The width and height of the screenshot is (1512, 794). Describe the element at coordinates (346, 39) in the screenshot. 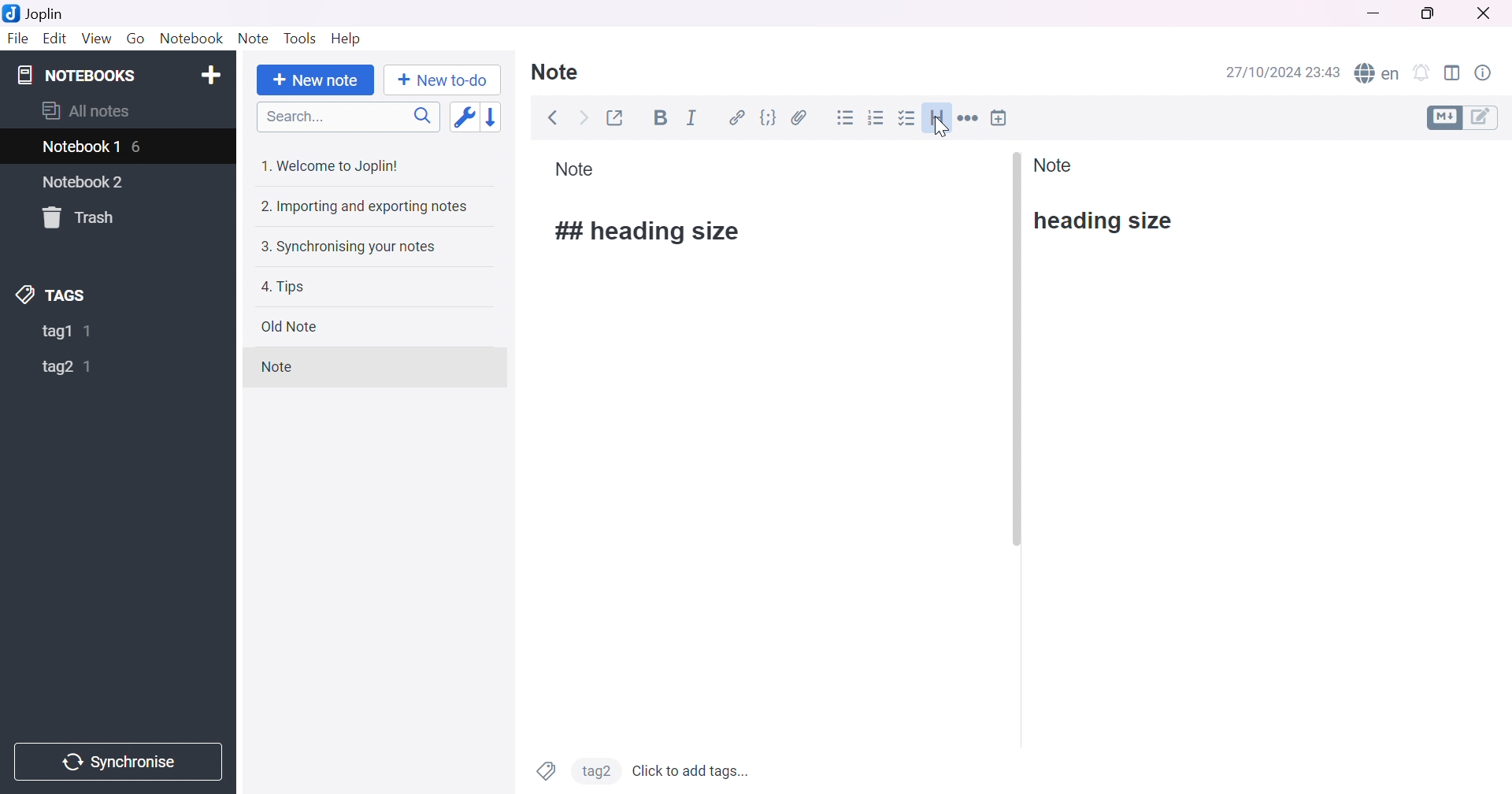

I see `Help` at that location.